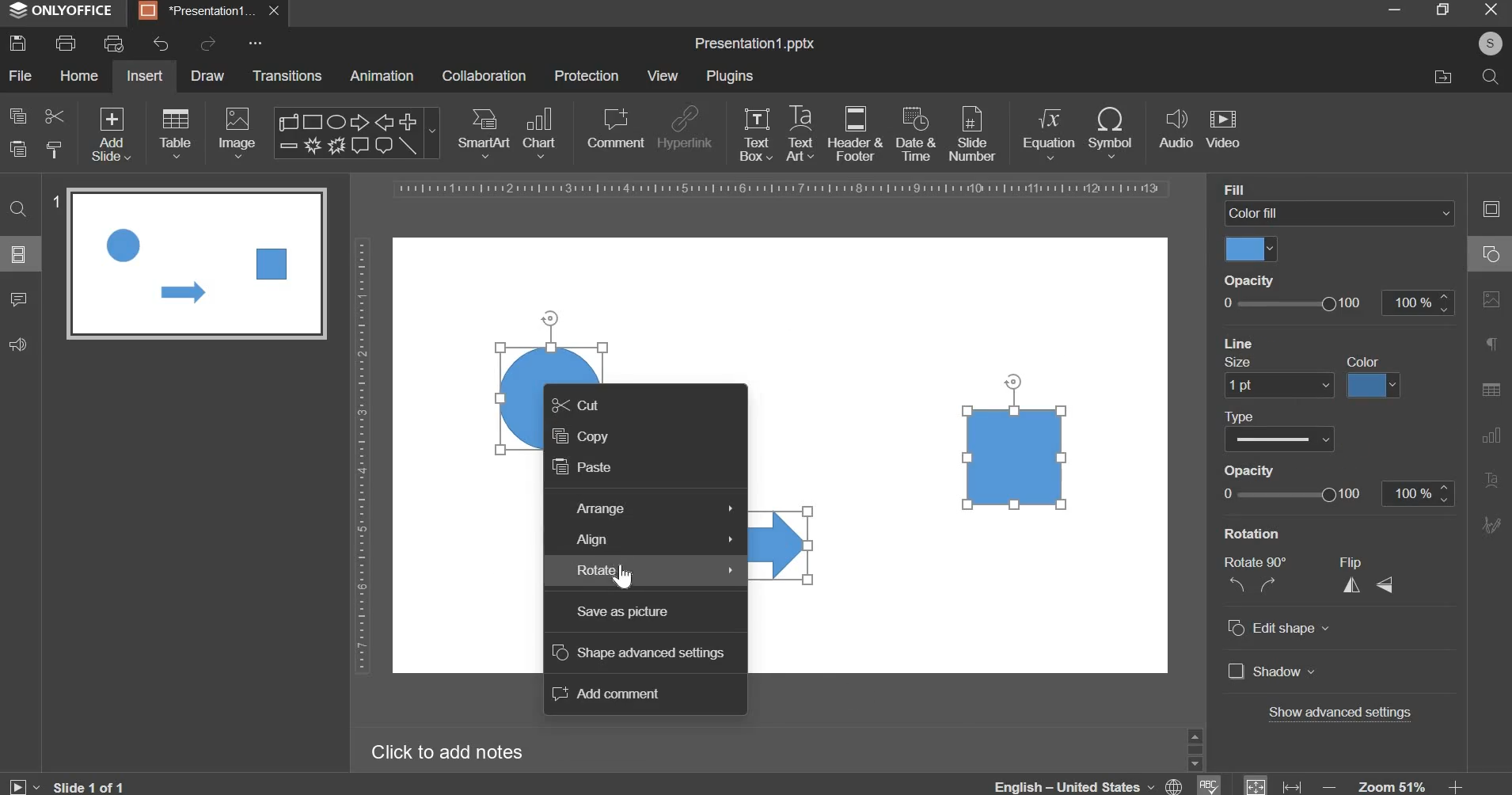 The height and width of the screenshot is (795, 1512). Describe the element at coordinates (1491, 524) in the screenshot. I see `signature ` at that location.